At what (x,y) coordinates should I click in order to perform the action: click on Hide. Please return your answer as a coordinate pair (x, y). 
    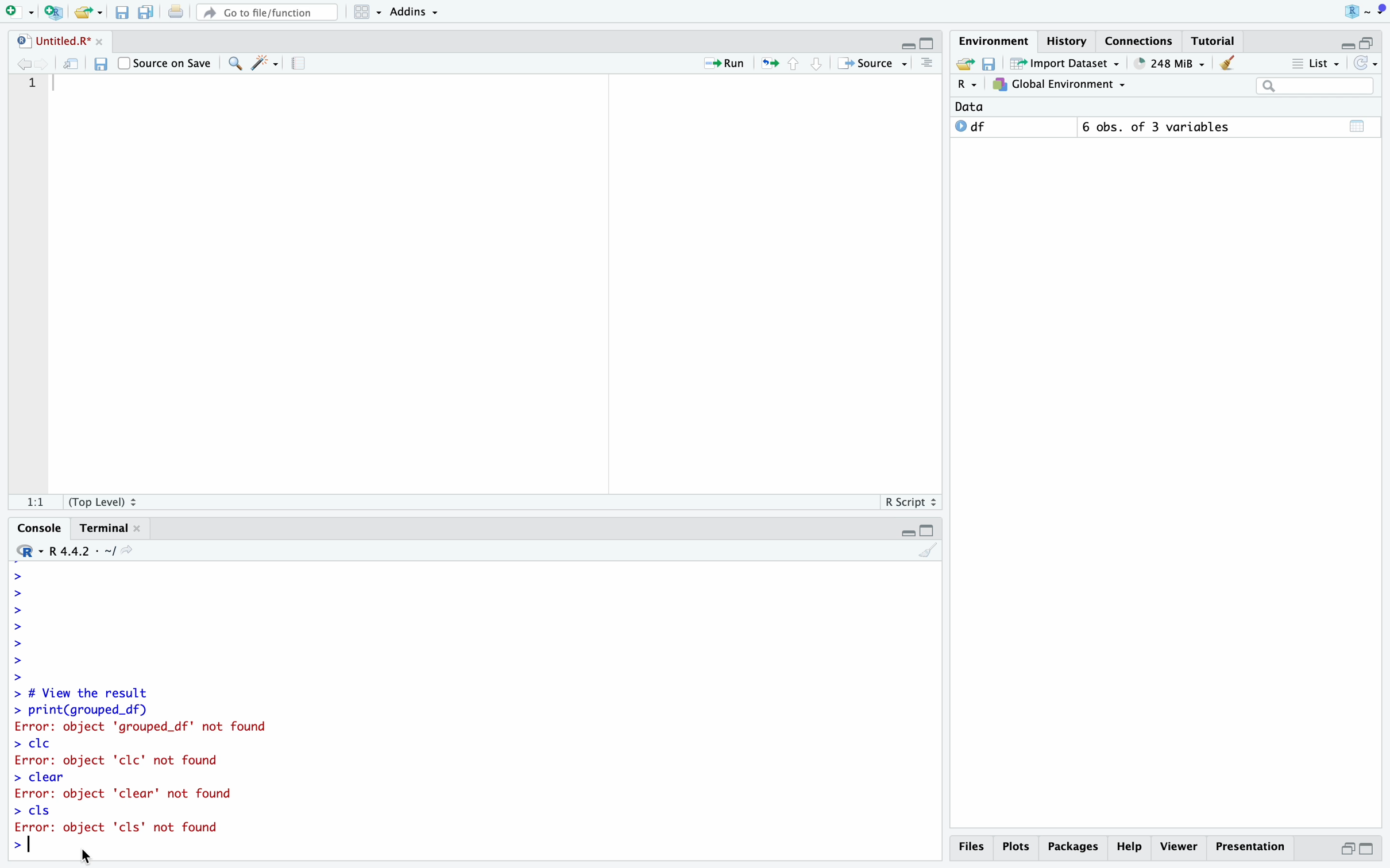
    Looking at the image, I should click on (906, 531).